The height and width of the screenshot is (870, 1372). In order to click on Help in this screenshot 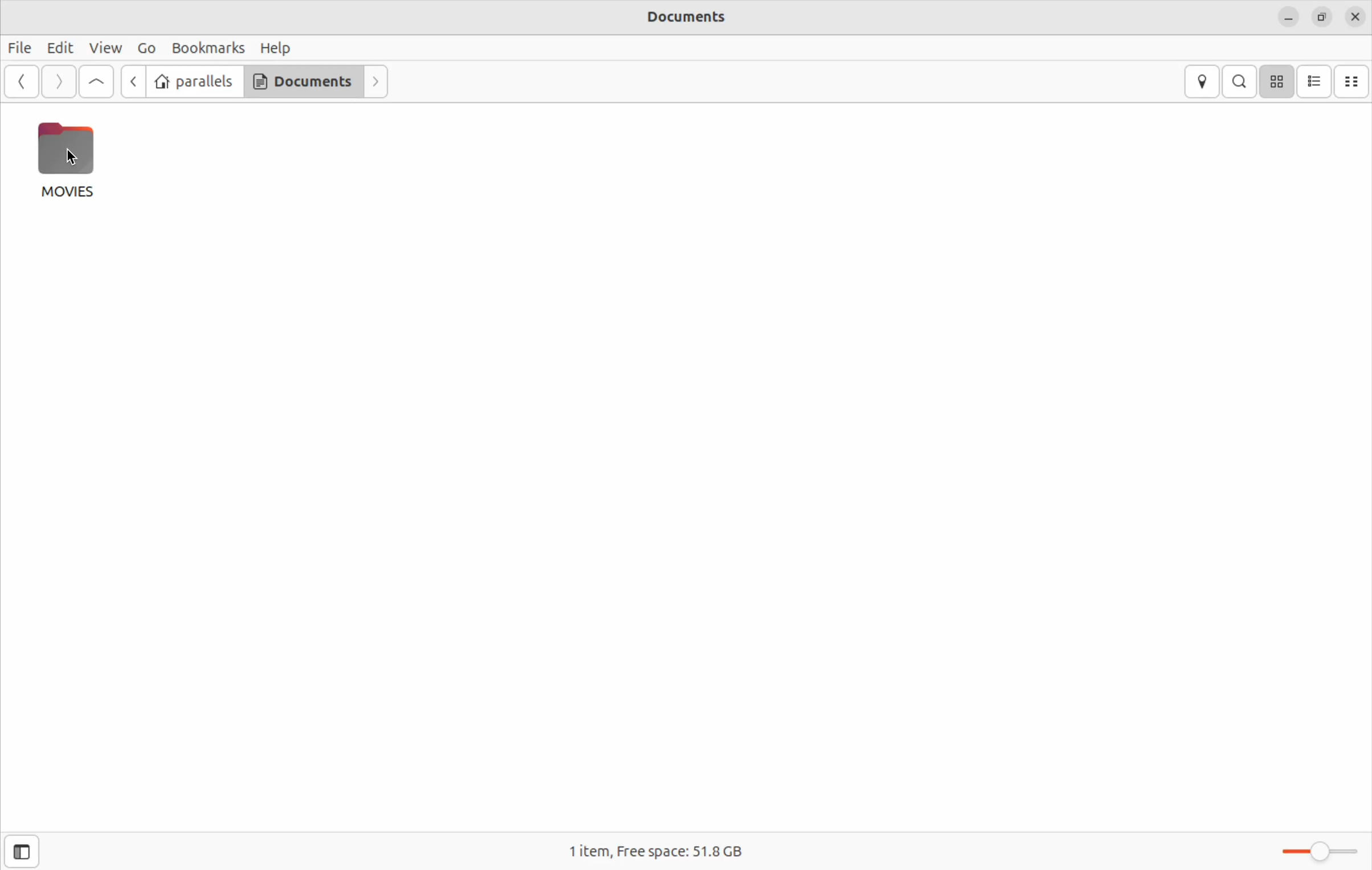, I will do `click(276, 46)`.